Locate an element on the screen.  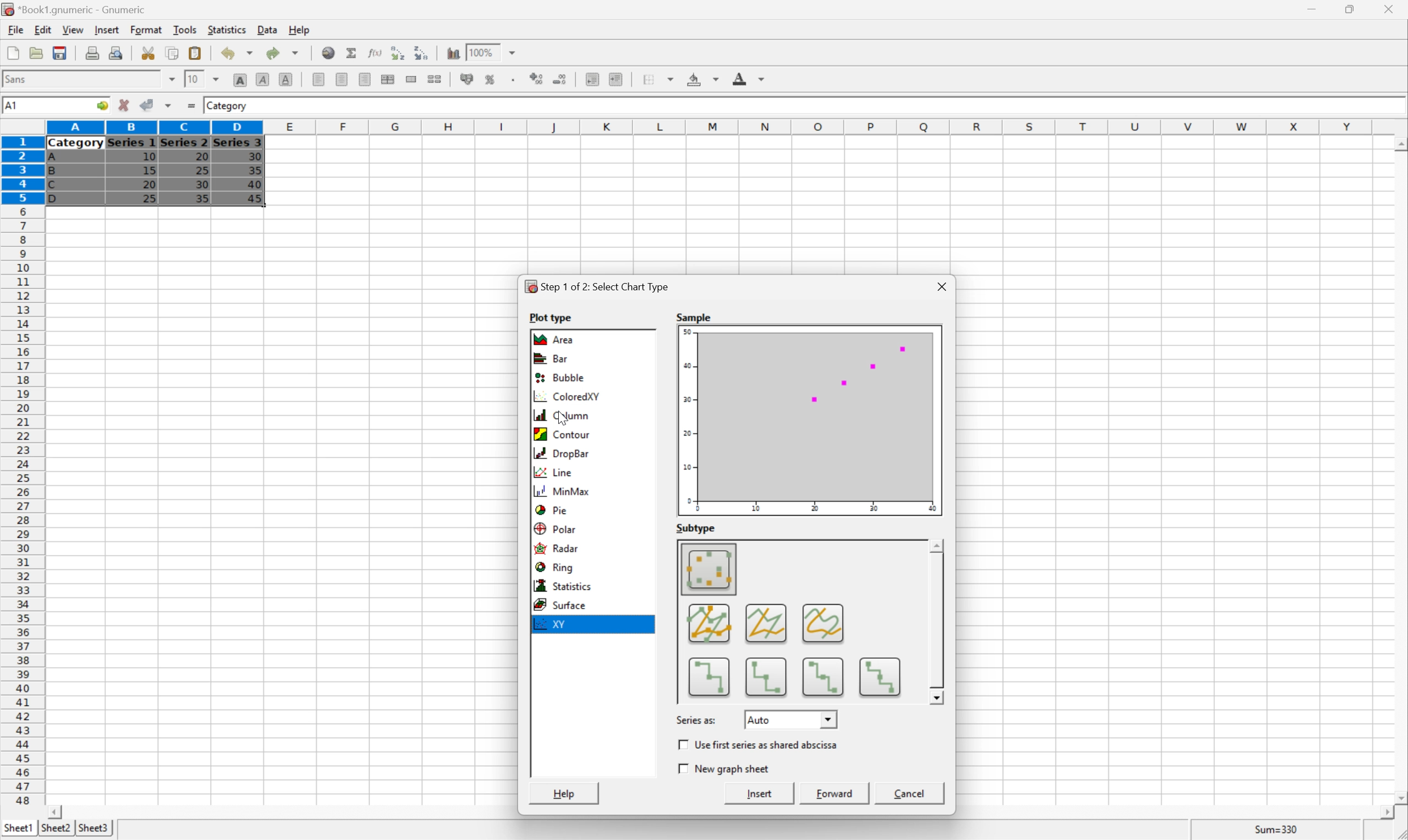
Foreground is located at coordinates (747, 77).